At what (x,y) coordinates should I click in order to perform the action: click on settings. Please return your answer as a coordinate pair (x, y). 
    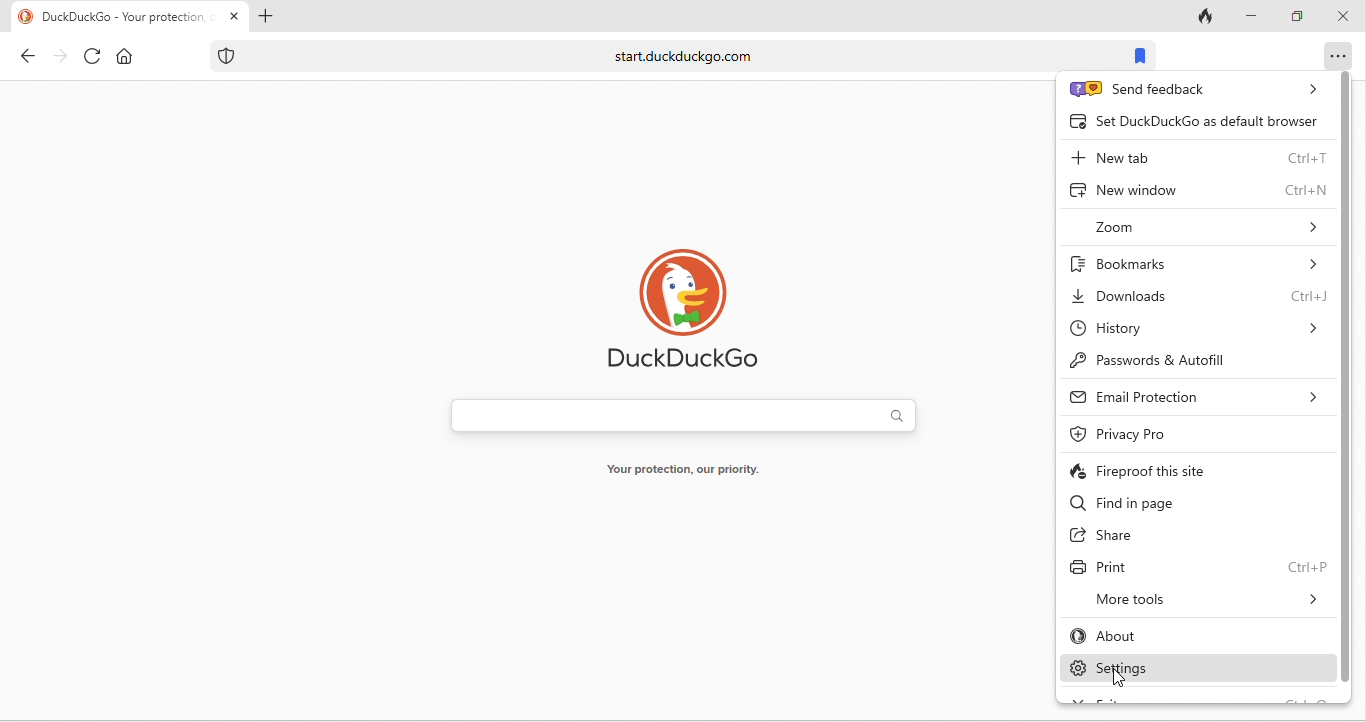
    Looking at the image, I should click on (1195, 667).